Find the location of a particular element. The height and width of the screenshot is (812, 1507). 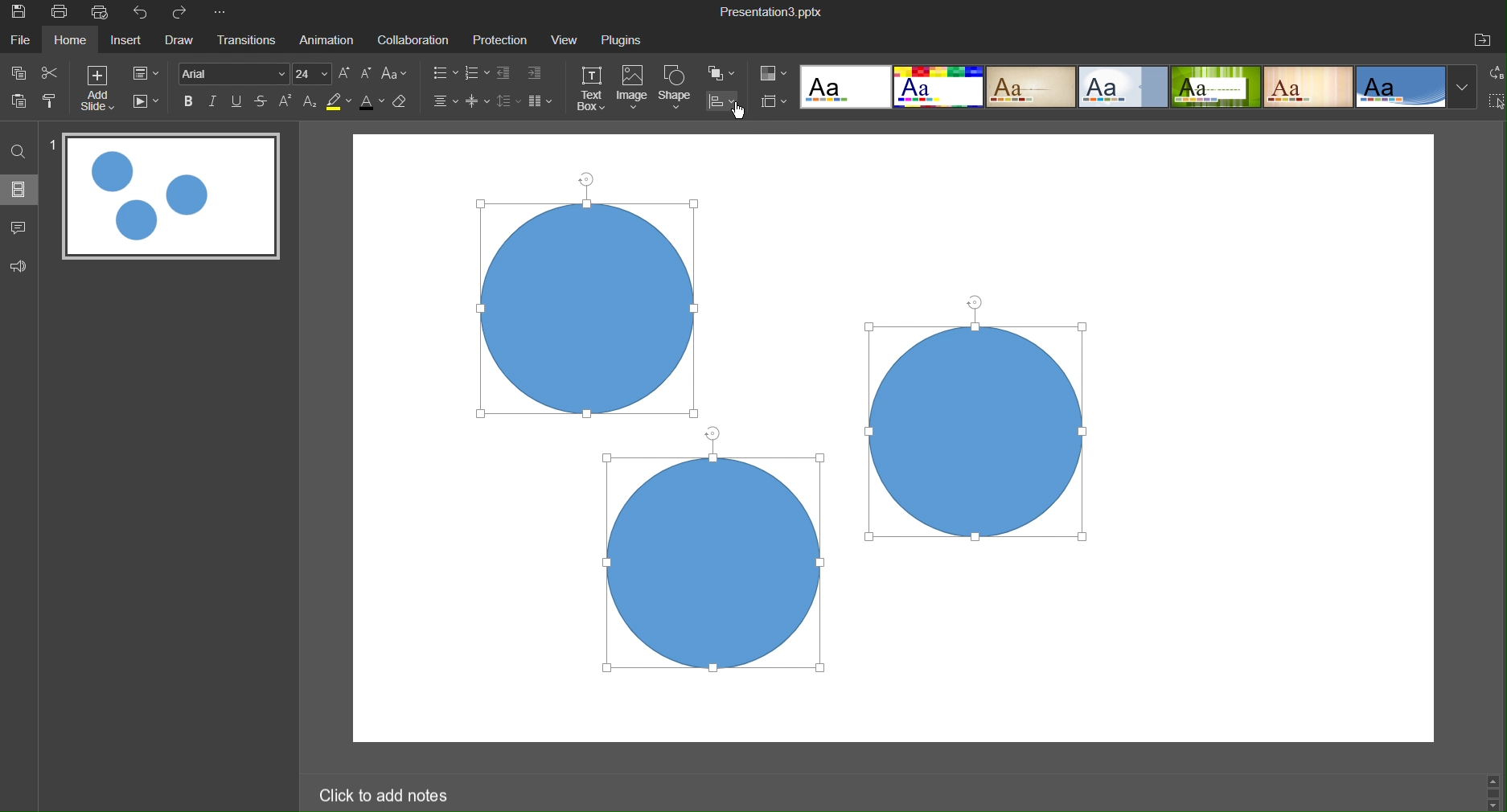

Animation is located at coordinates (330, 40).